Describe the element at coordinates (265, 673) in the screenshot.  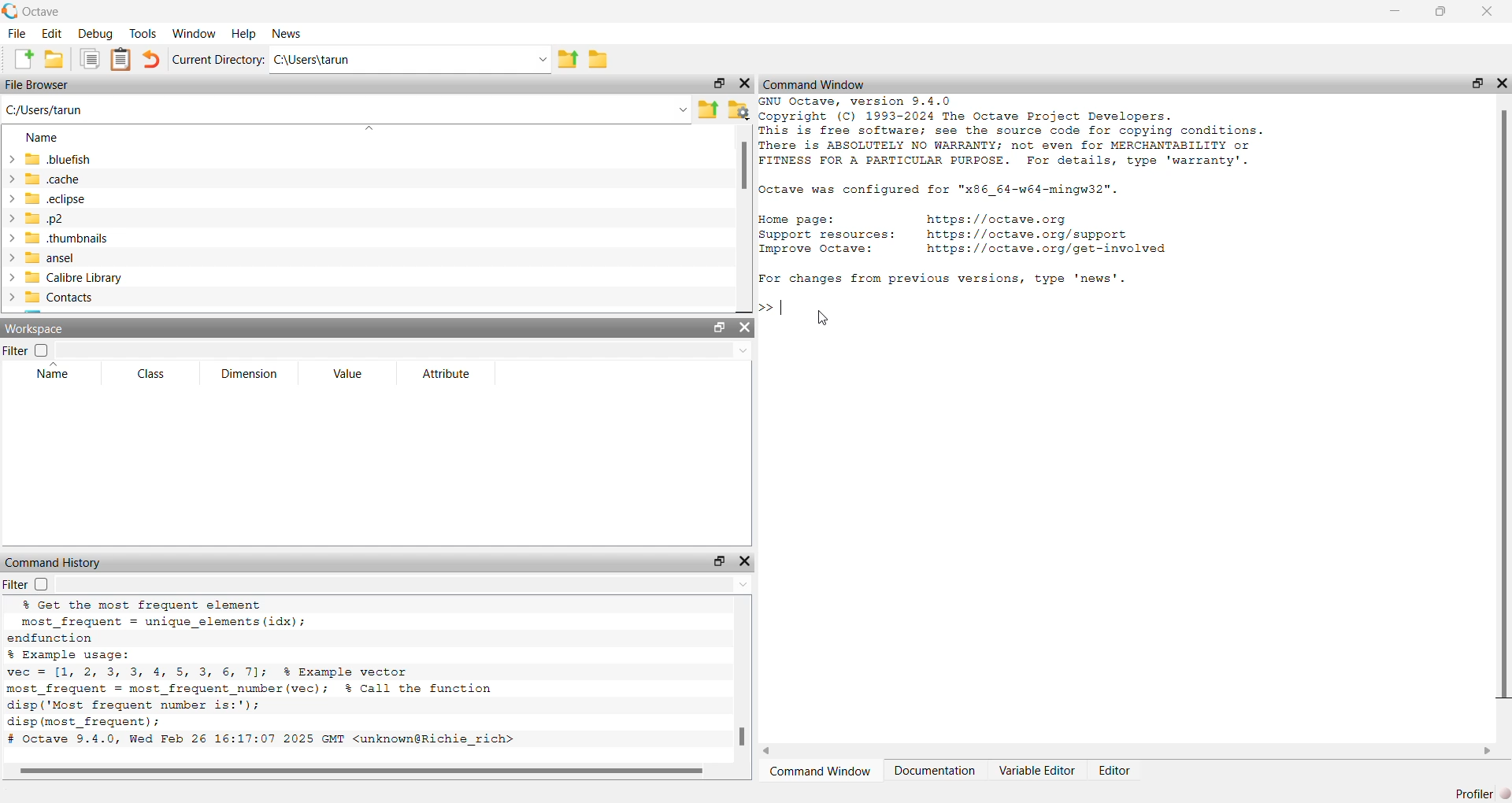
I see `% Get the most frequent element
most_frequent = unique_elements (idx);
endfunction
% Example usage:
vec = [1, 2, 3, 3, 4, 5, 3, 6 7]; % Example vector
most_frequent = most_frequent_number (vec); $ Call the function
disp('Most frequent number is:');
disp (most_frequent) ;
# Octave 9.4.0, Wed Feb 26 16:17:07 2025 GMT <unknown@Richie_rich>` at that location.